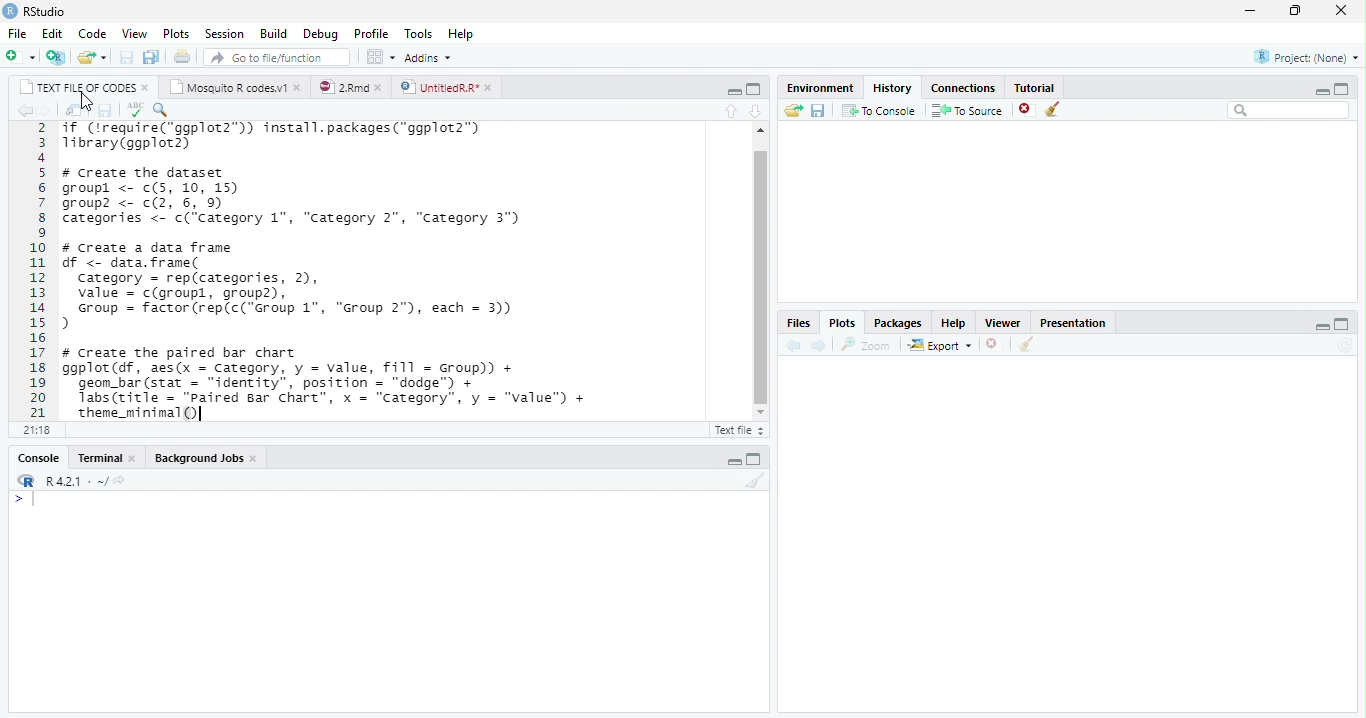 Image resolution: width=1366 pixels, height=718 pixels. Describe the element at coordinates (42, 111) in the screenshot. I see `go forward` at that location.